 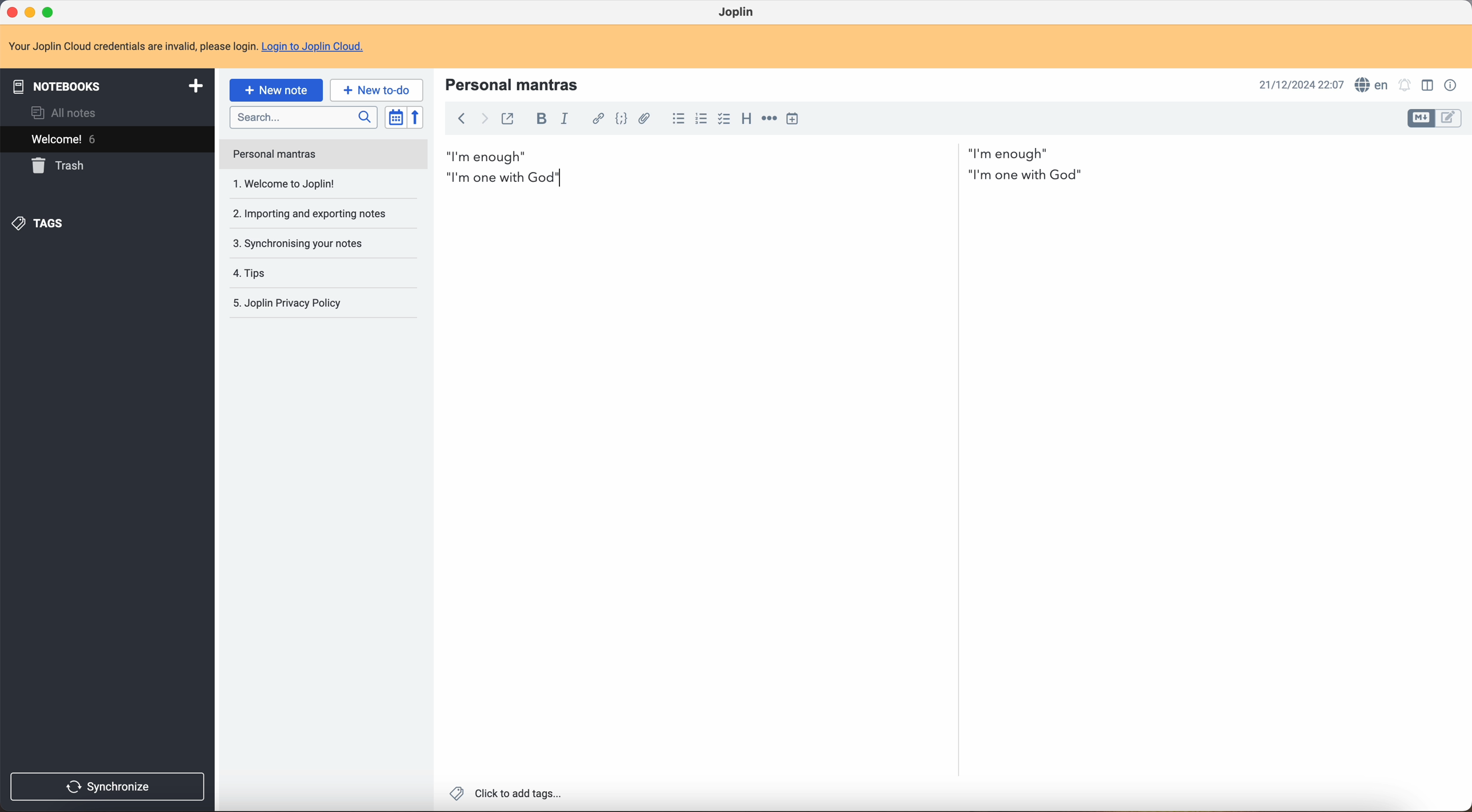 What do you see at coordinates (485, 119) in the screenshot?
I see `foward` at bounding box center [485, 119].